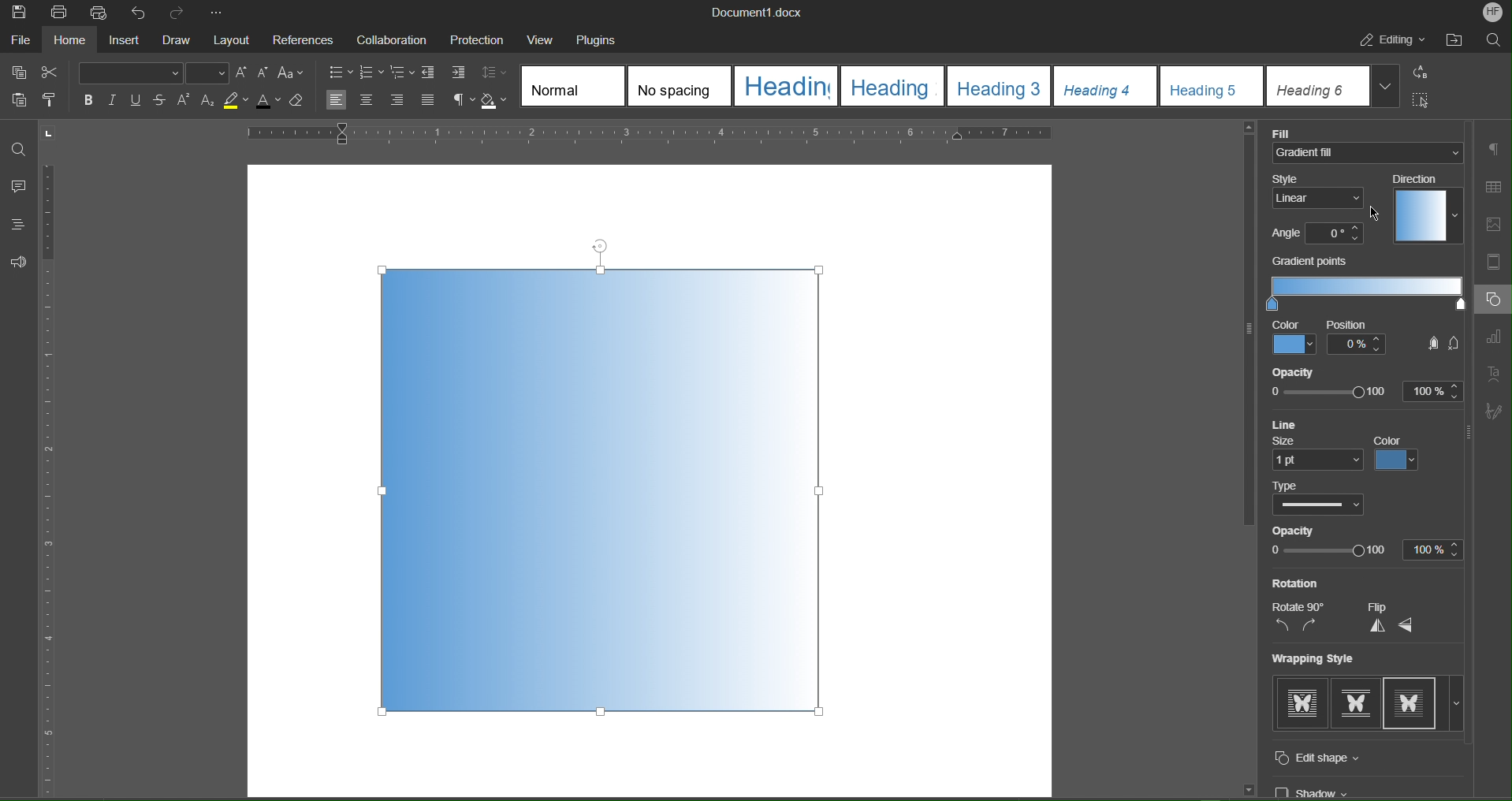 The image size is (1512, 801). Describe the element at coordinates (338, 101) in the screenshot. I see `Left Align` at that location.